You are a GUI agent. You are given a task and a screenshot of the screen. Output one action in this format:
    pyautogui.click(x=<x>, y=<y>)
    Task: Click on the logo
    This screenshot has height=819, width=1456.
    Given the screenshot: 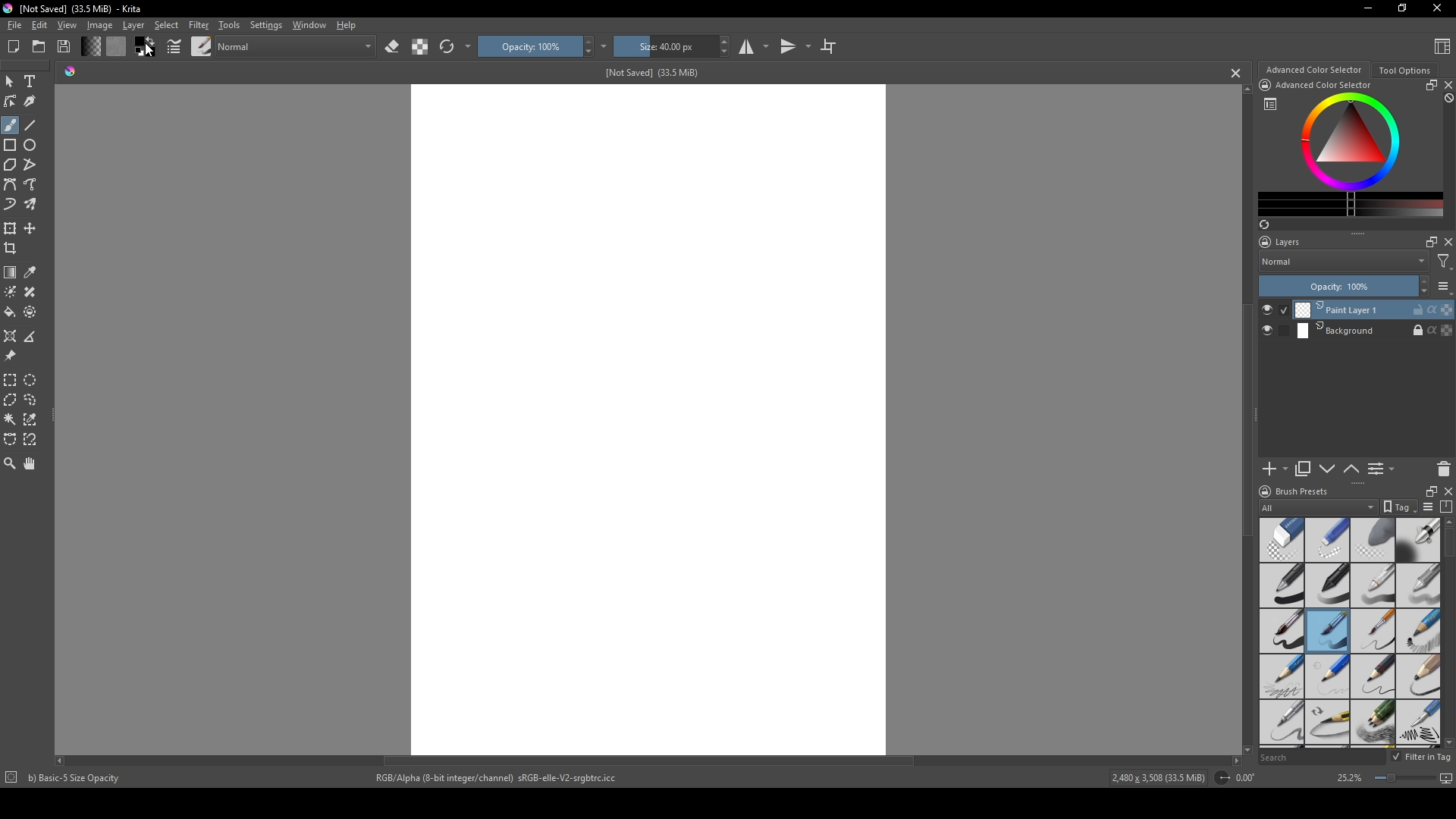 What is the action you would take?
    pyautogui.click(x=9, y=8)
    